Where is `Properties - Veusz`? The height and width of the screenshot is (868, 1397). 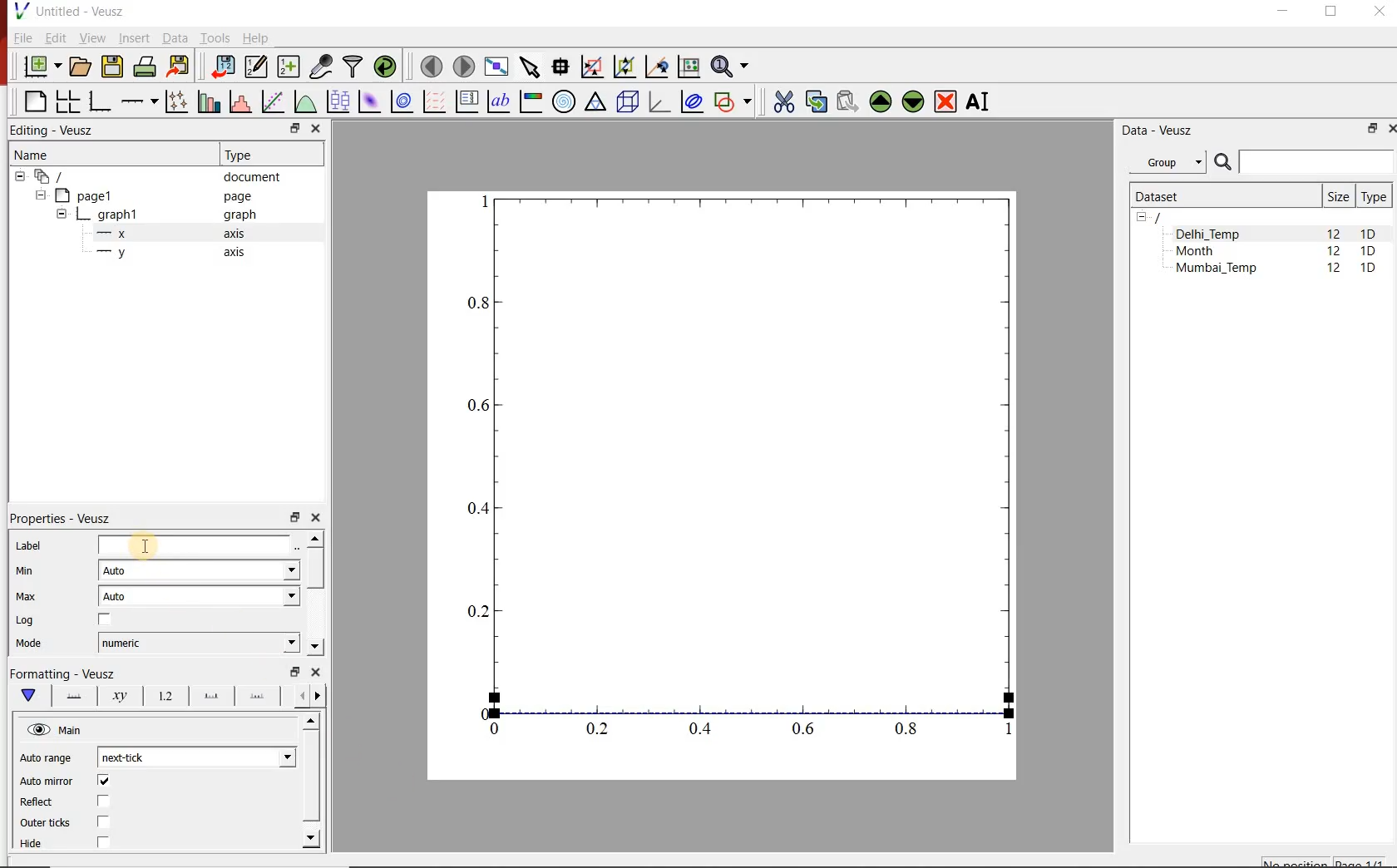 Properties - Veusz is located at coordinates (57, 519).